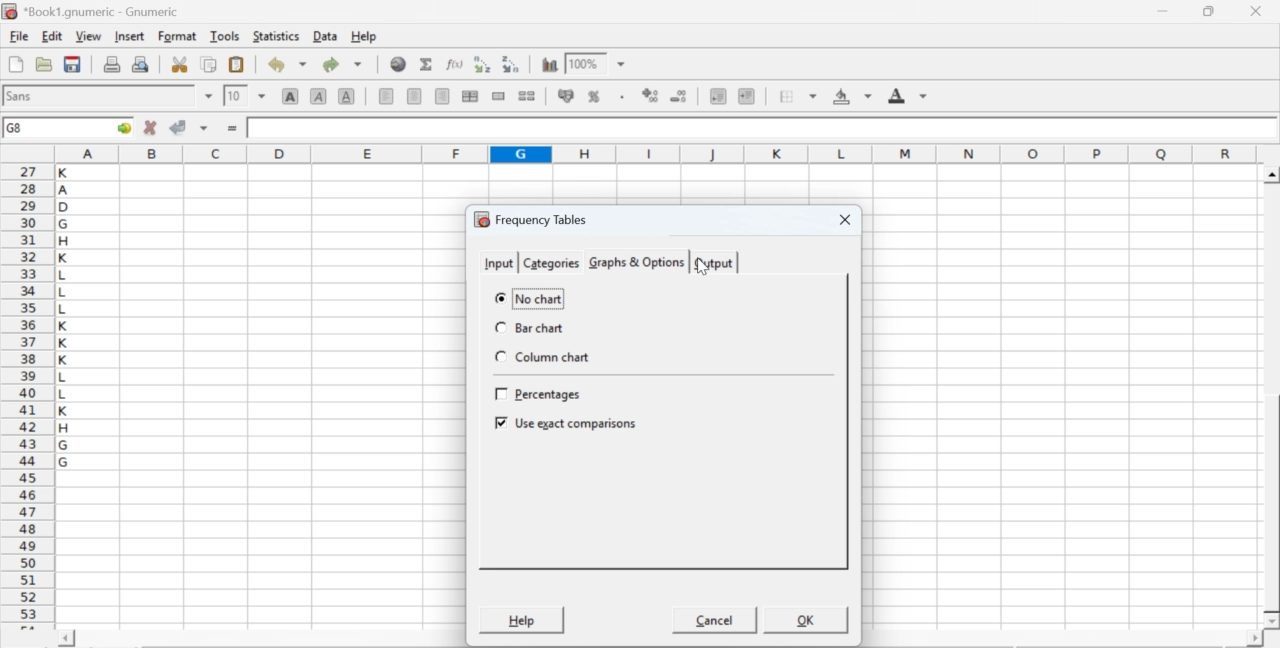  I want to click on minimize, so click(1164, 11).